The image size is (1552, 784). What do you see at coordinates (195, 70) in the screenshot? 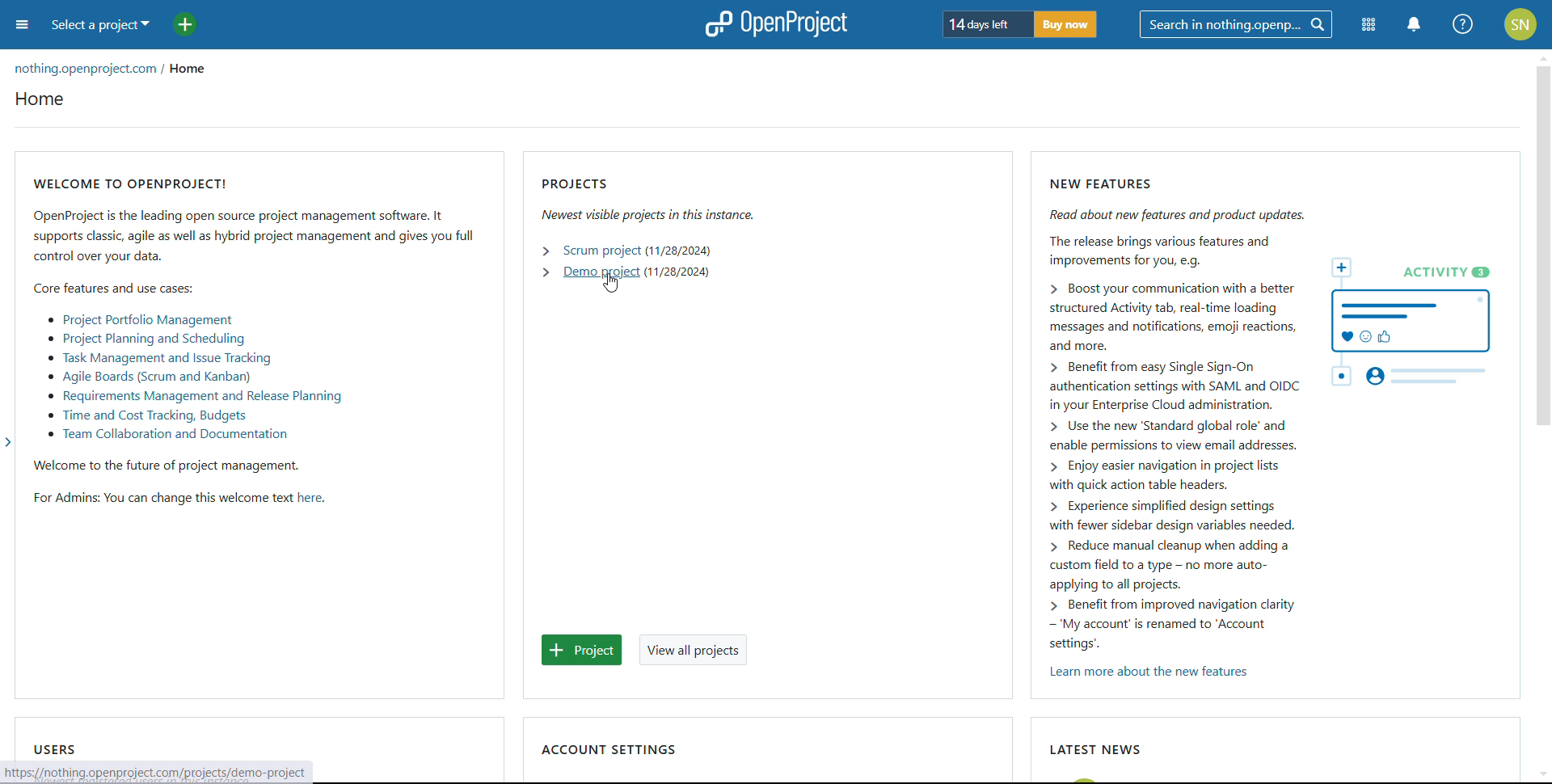
I see `home` at bounding box center [195, 70].